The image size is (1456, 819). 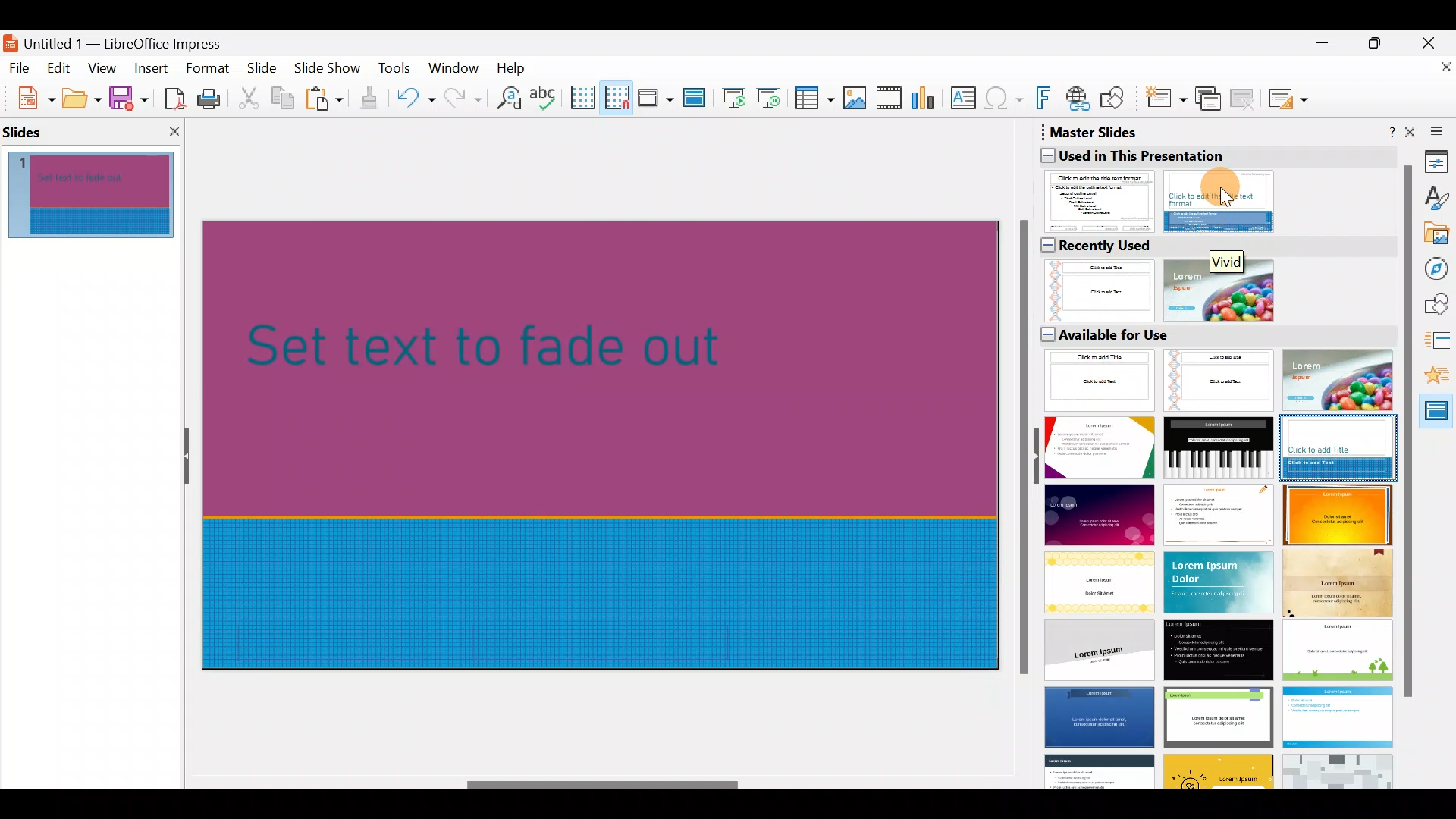 I want to click on Copy, so click(x=281, y=99).